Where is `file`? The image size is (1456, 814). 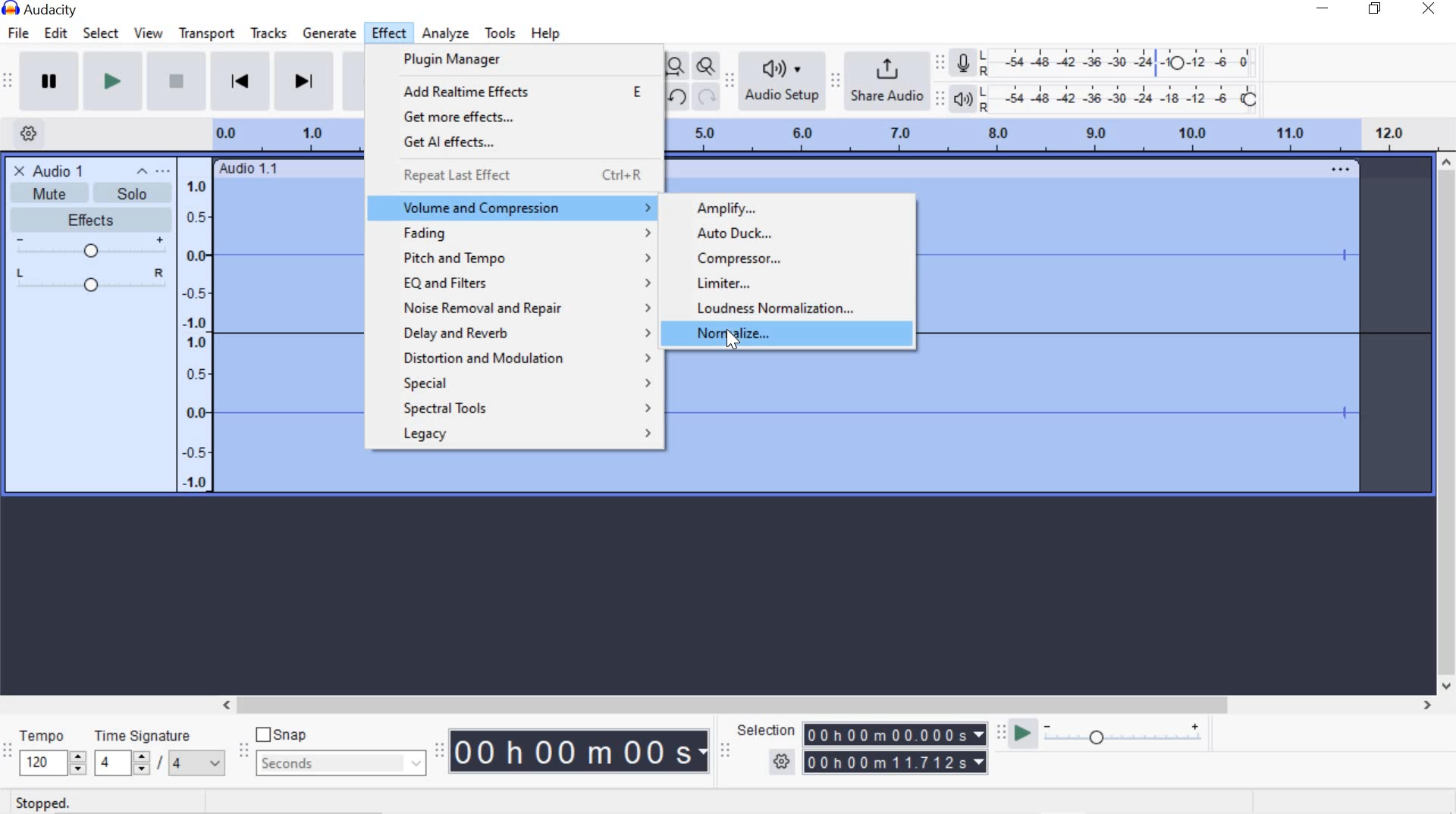 file is located at coordinates (21, 33).